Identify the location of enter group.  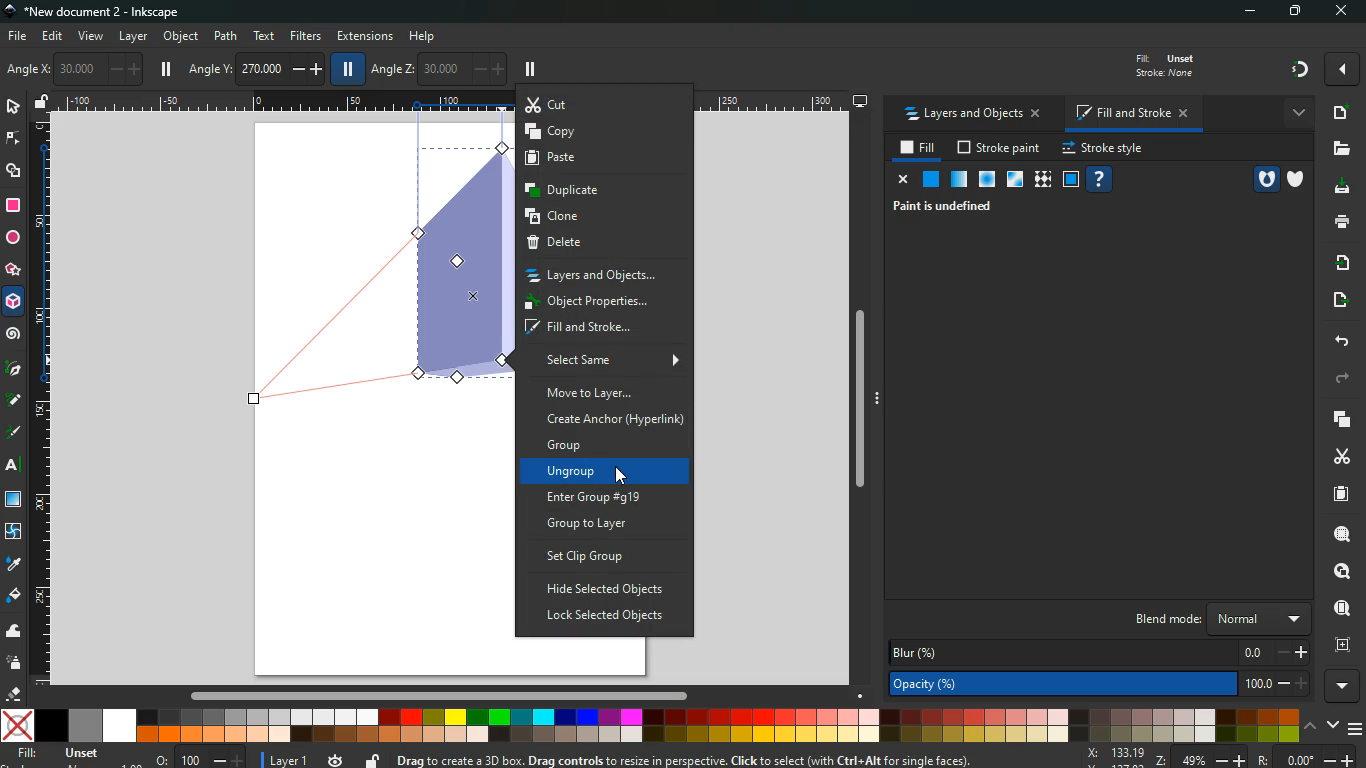
(611, 497).